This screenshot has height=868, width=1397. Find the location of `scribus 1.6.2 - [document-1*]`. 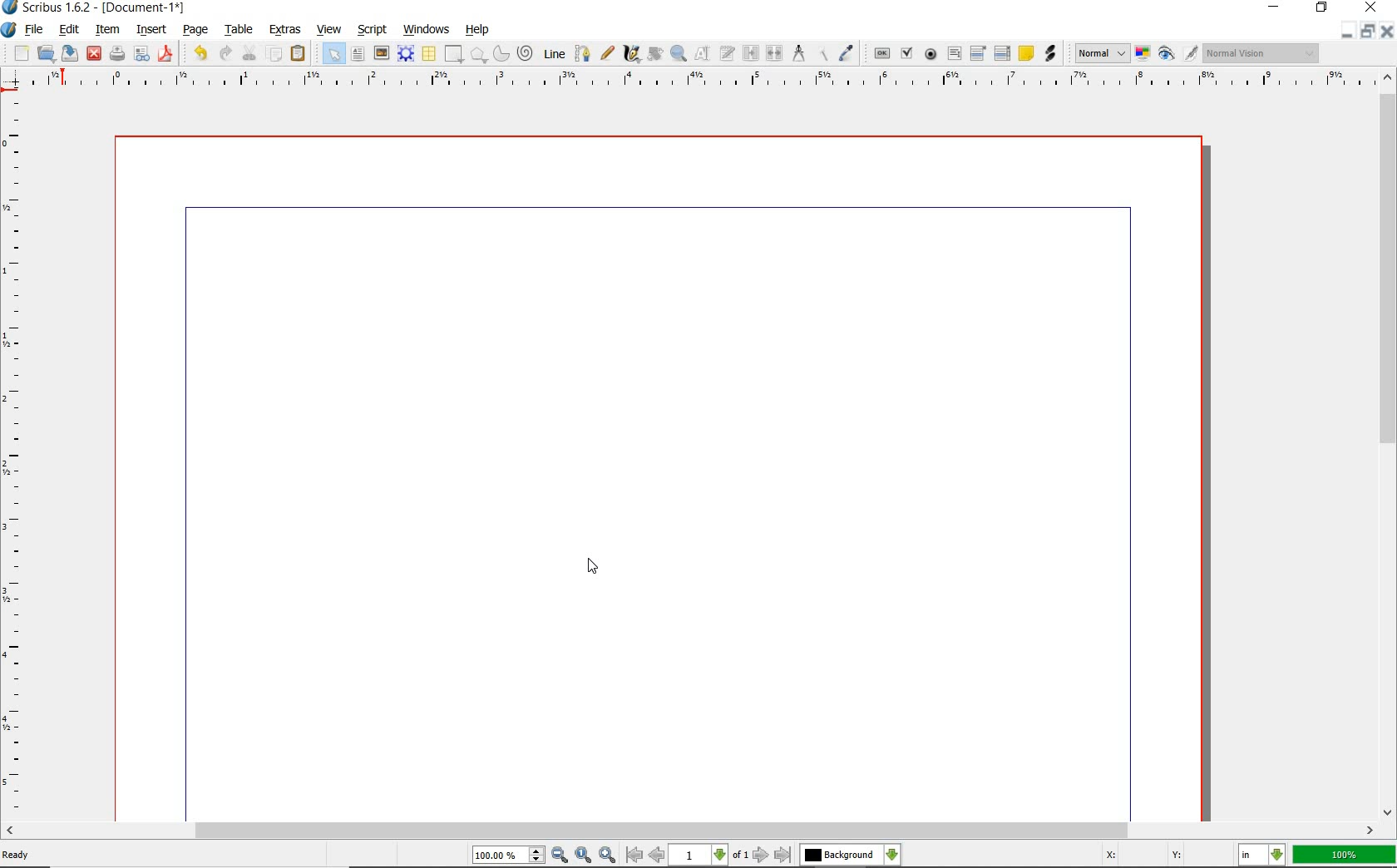

scribus 1.6.2 - [document-1*] is located at coordinates (96, 8).